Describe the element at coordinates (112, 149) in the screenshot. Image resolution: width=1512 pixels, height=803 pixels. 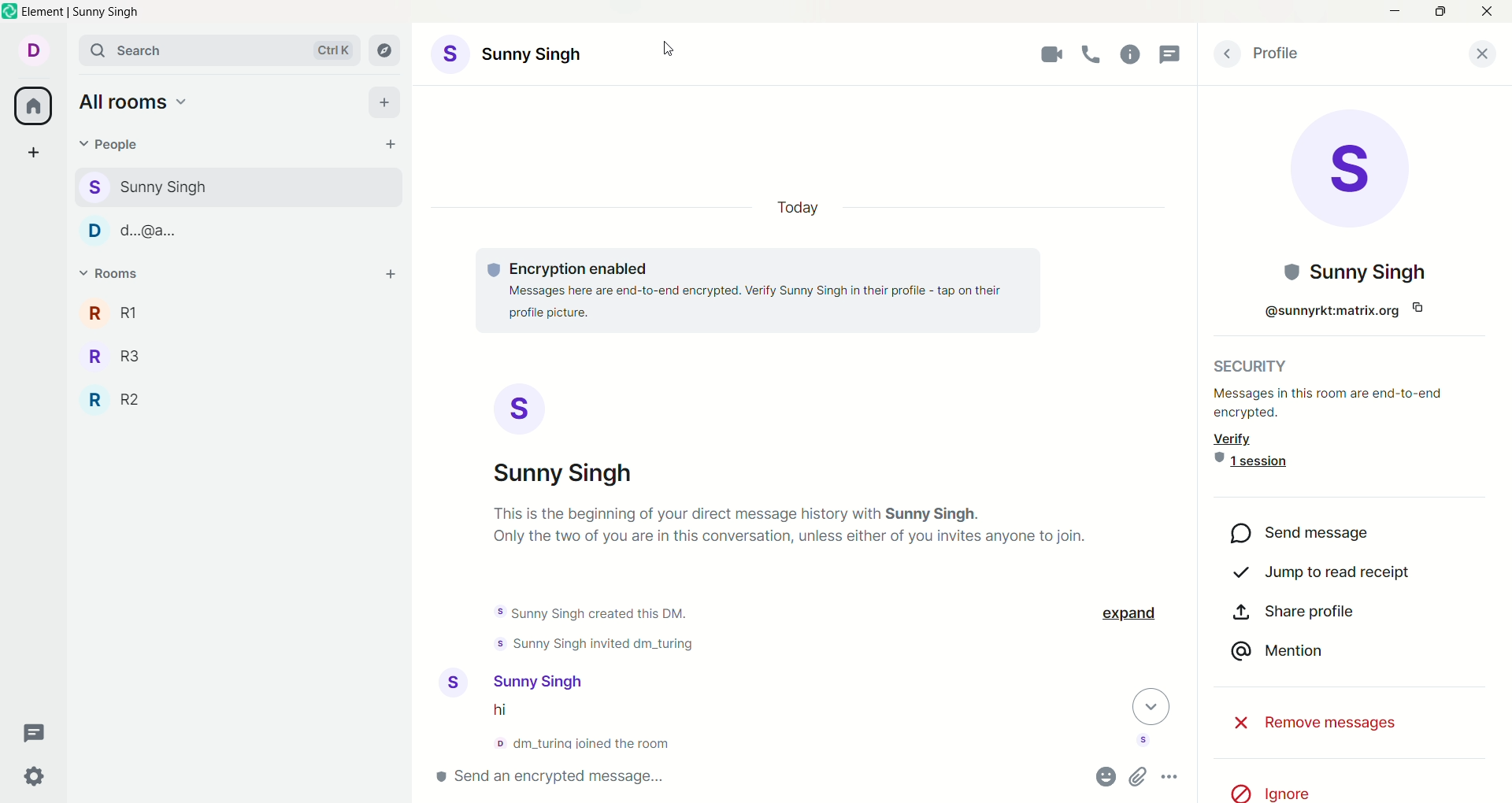
I see `people` at that location.